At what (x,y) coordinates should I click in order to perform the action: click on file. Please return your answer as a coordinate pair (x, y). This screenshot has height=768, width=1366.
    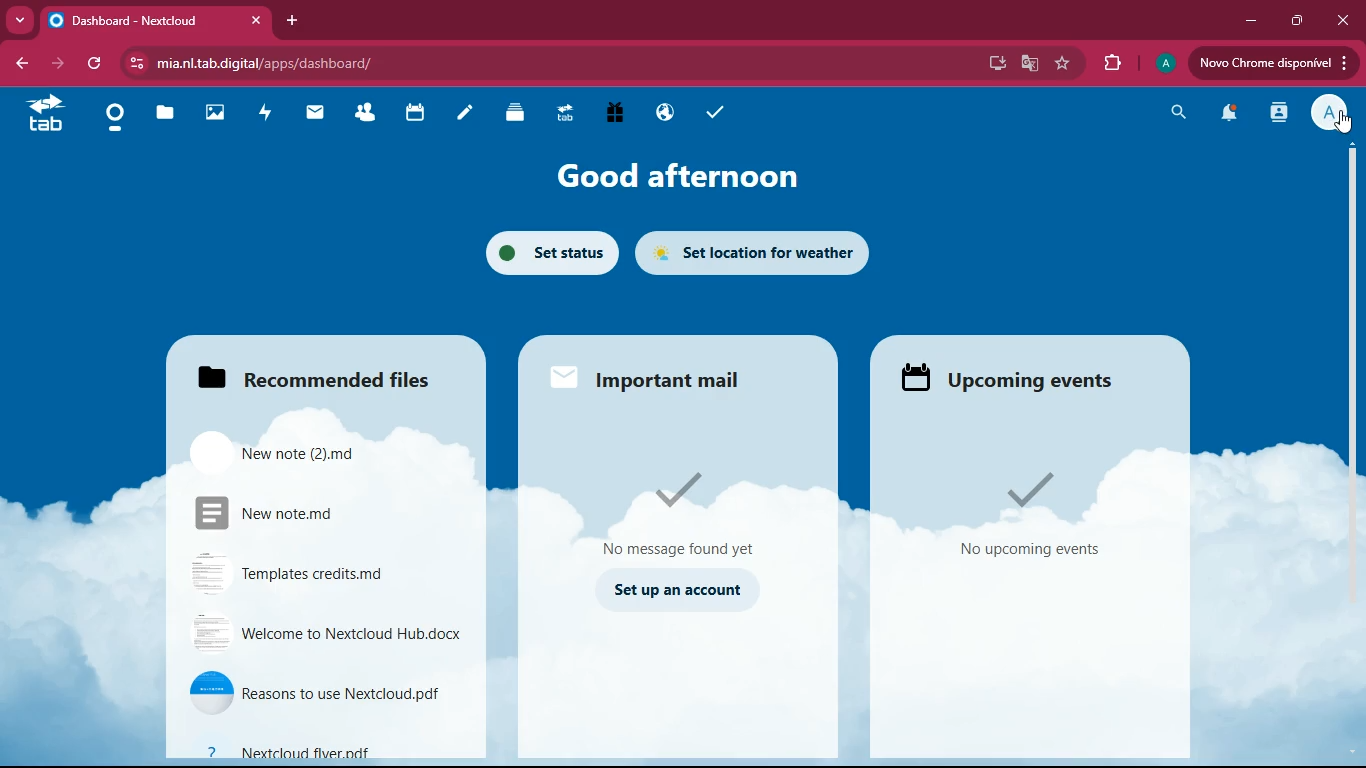
    Looking at the image, I should click on (318, 751).